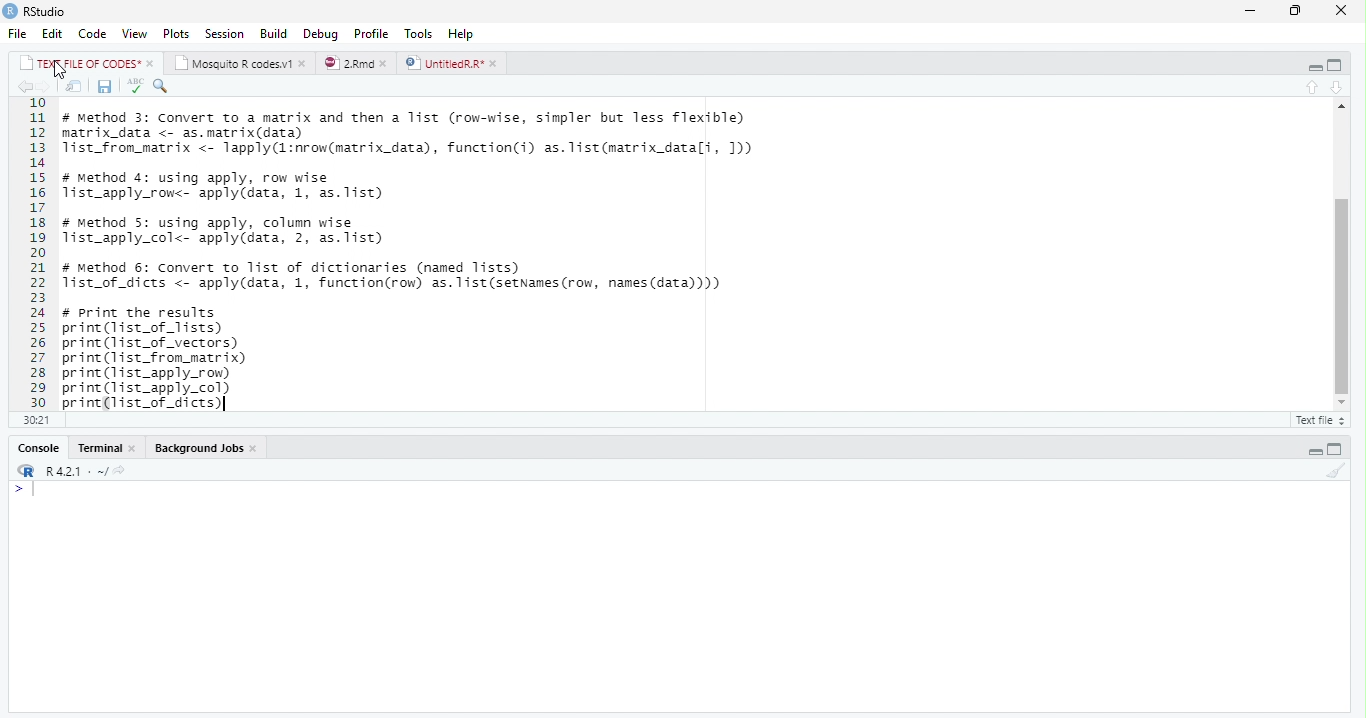 The height and width of the screenshot is (718, 1366). What do you see at coordinates (321, 33) in the screenshot?
I see `Debug` at bounding box center [321, 33].